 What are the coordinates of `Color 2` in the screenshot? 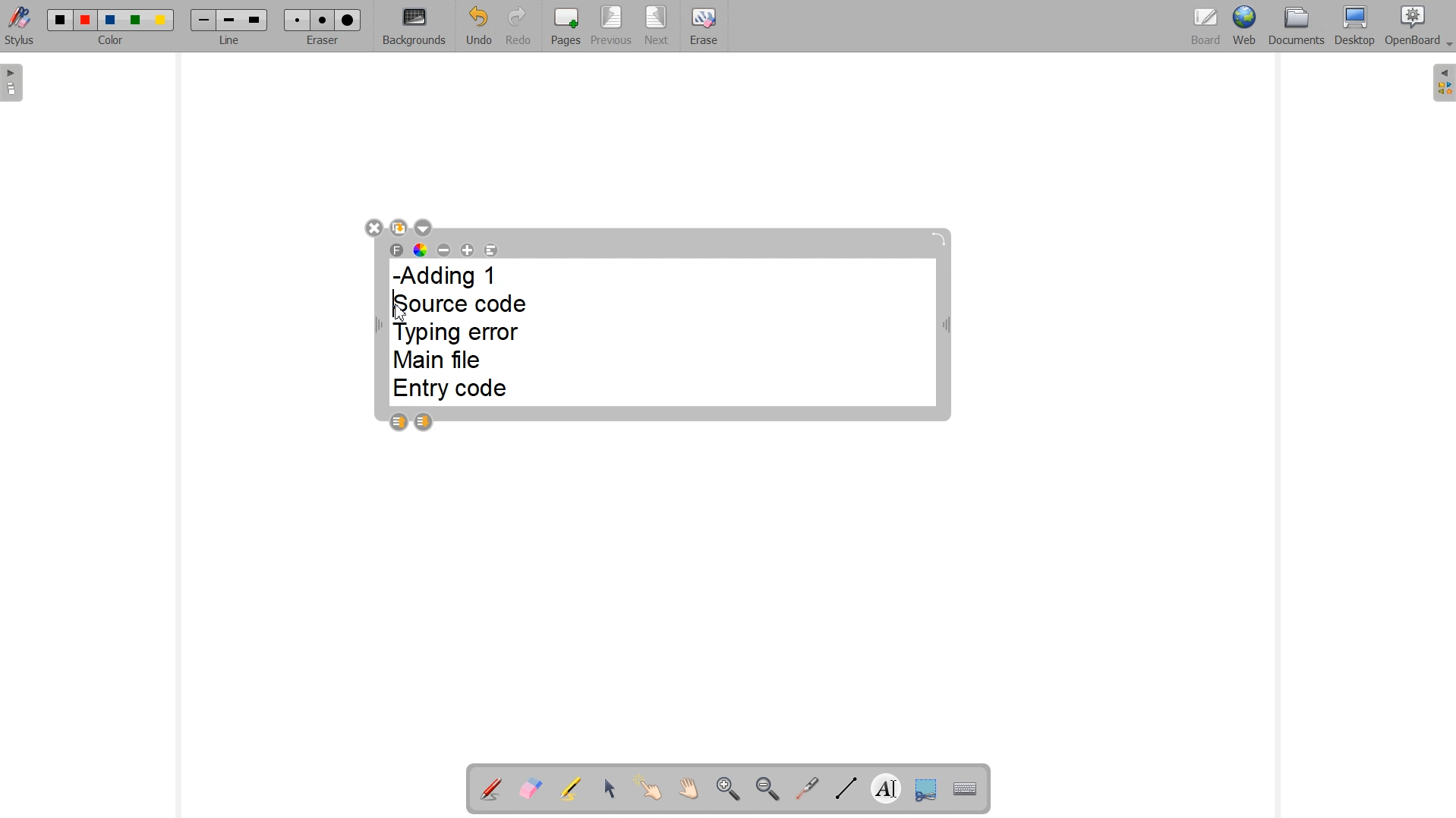 It's located at (87, 20).